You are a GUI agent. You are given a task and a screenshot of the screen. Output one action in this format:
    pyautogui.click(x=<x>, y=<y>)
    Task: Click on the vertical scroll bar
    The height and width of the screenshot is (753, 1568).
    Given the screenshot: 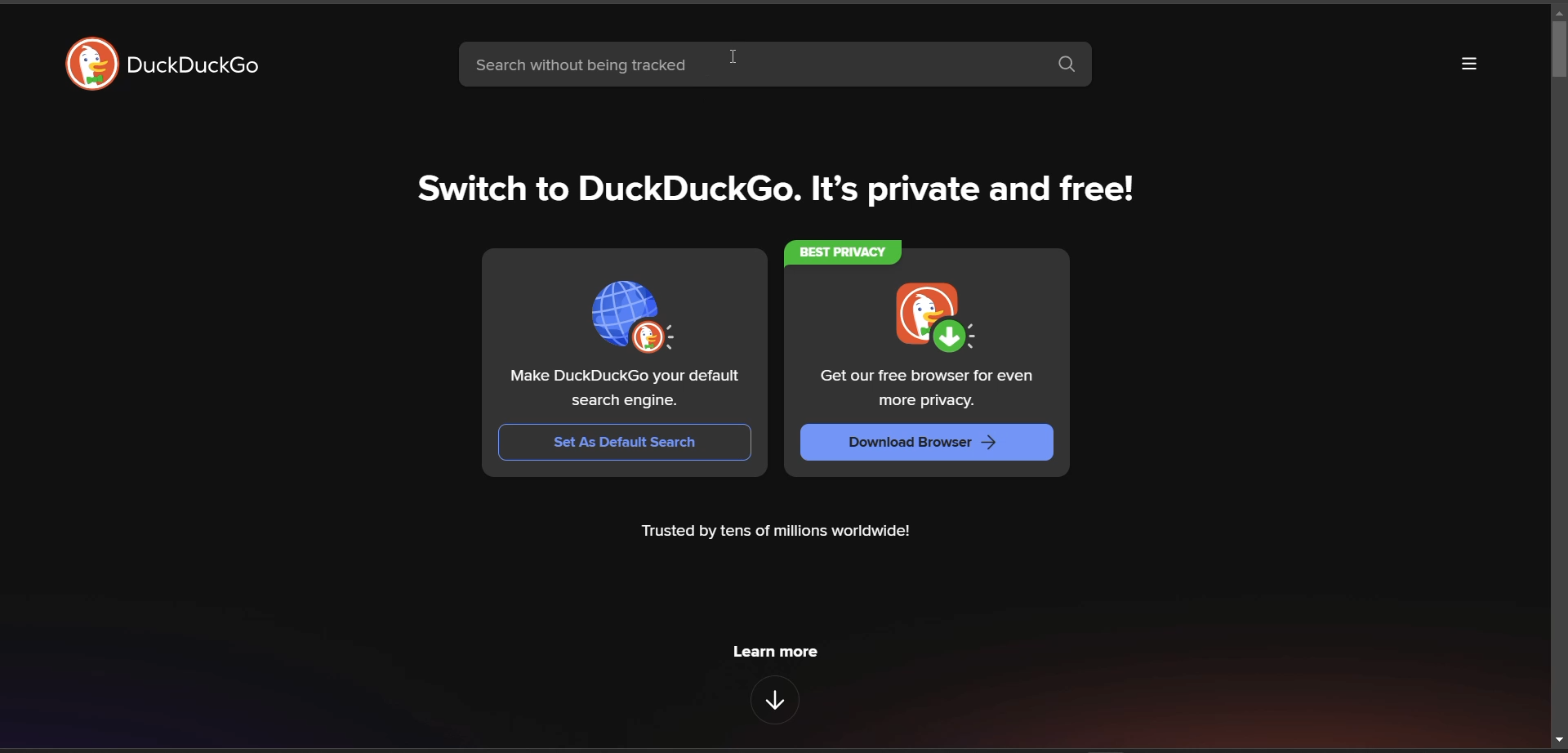 What is the action you would take?
    pyautogui.click(x=1554, y=51)
    